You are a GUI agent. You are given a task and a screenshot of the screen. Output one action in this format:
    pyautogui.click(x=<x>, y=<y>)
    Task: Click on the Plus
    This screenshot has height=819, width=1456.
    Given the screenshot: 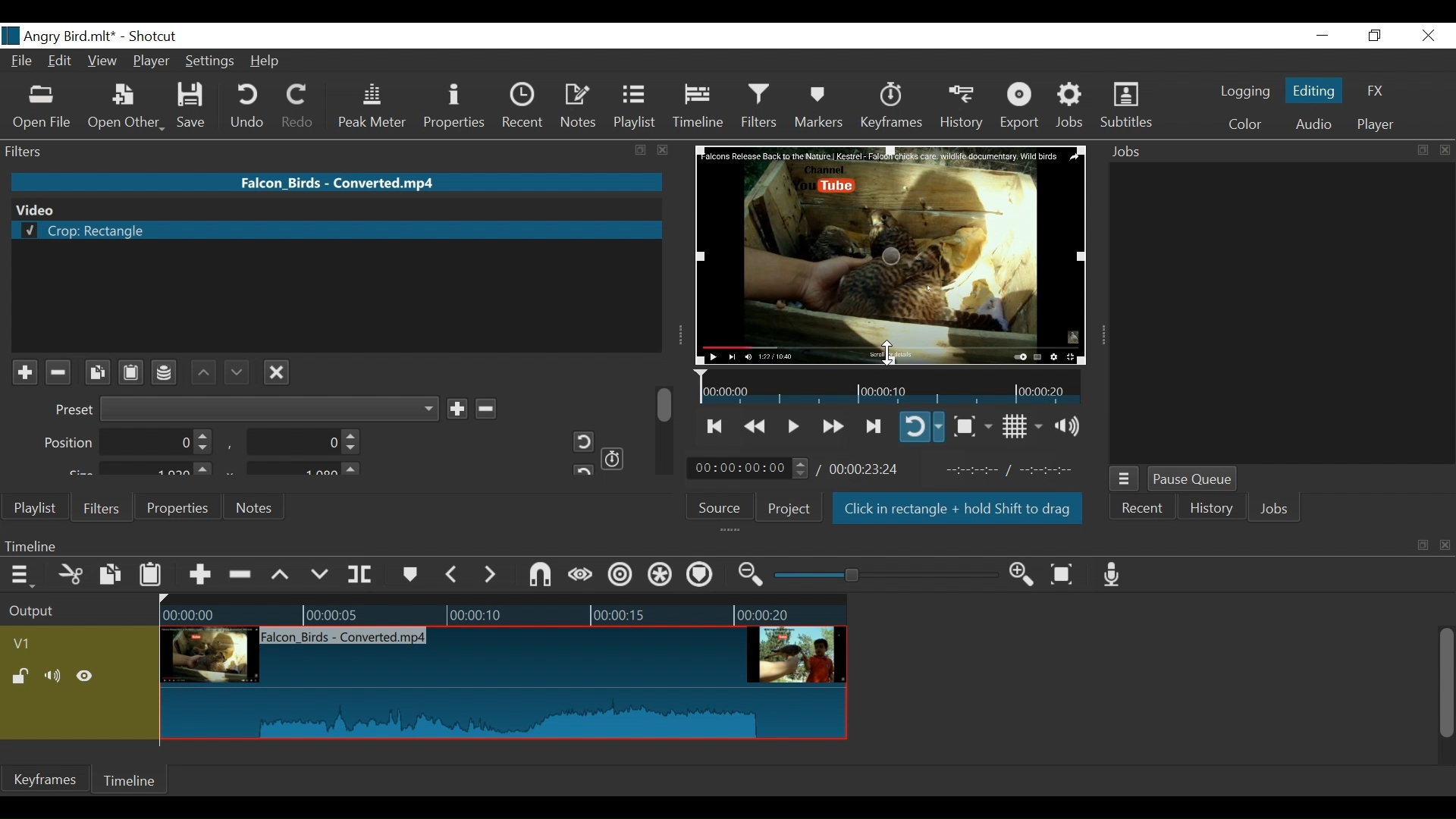 What is the action you would take?
    pyautogui.click(x=24, y=373)
    